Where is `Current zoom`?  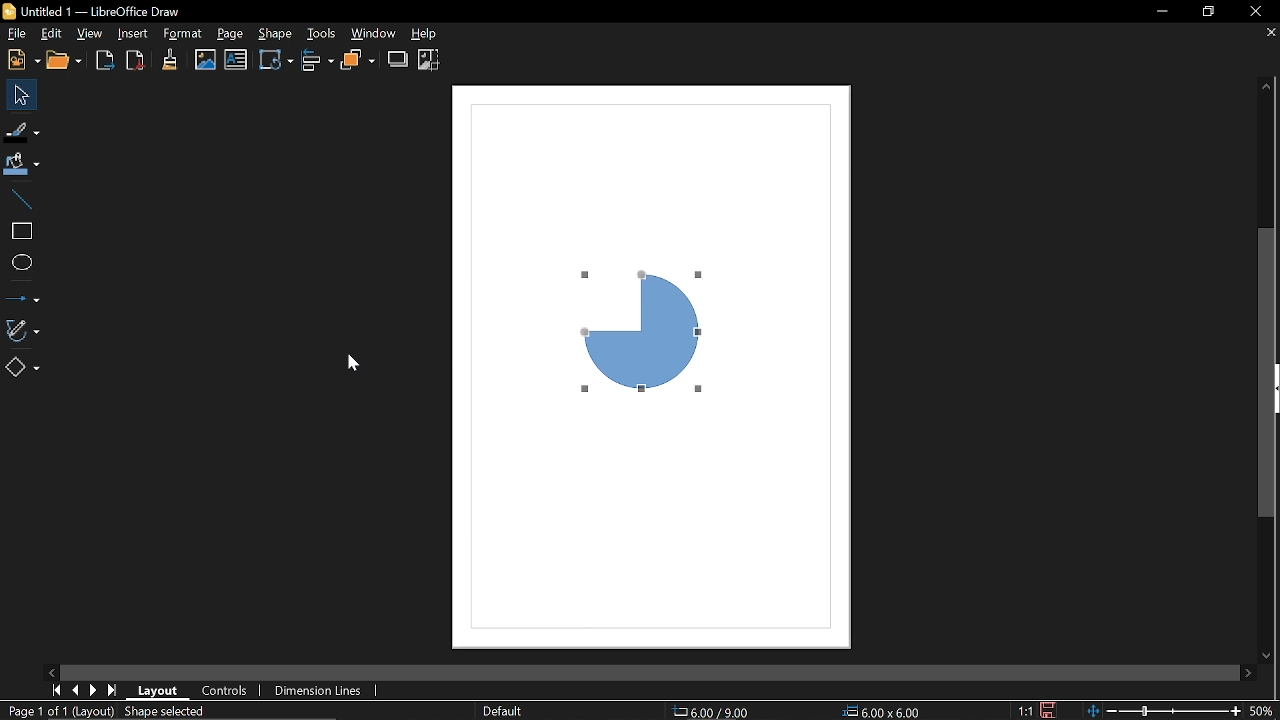
Current zoom is located at coordinates (1264, 710).